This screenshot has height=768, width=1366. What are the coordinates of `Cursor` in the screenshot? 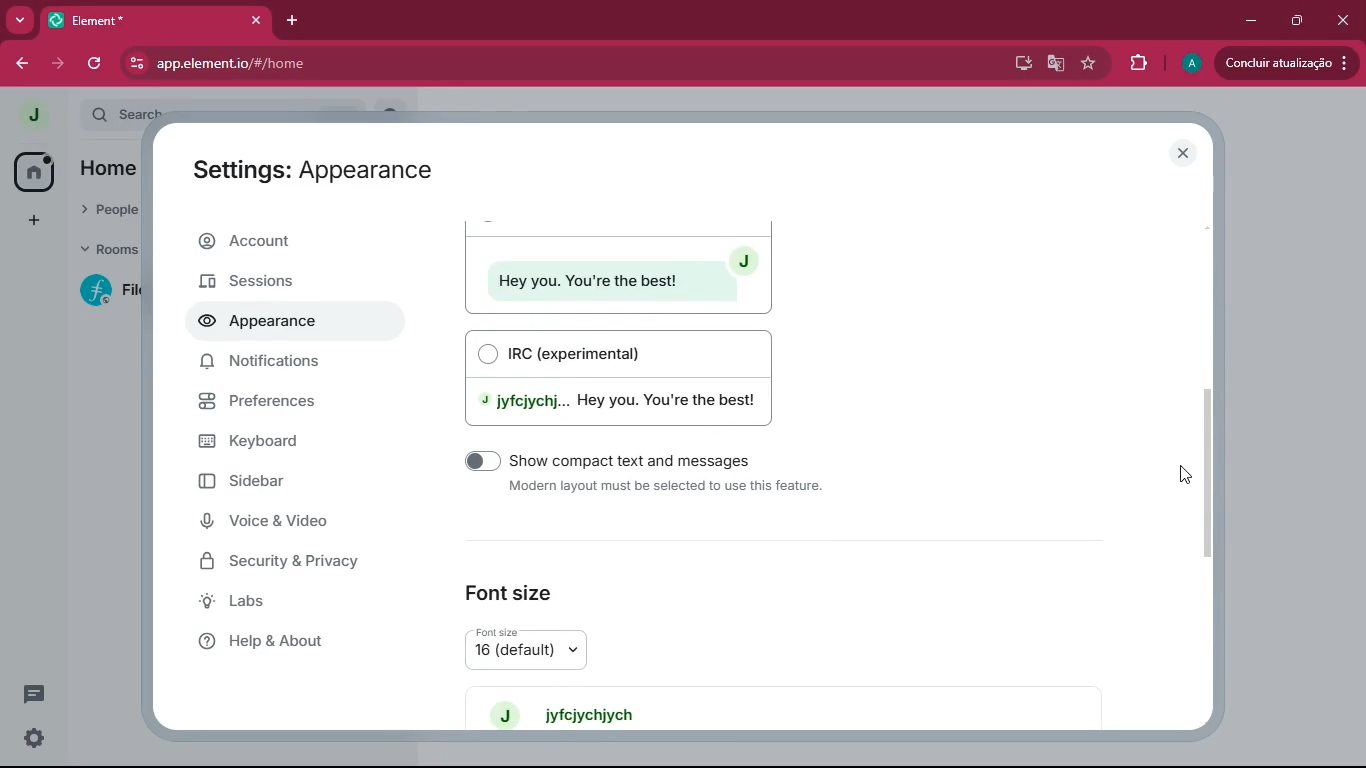 It's located at (1186, 475).